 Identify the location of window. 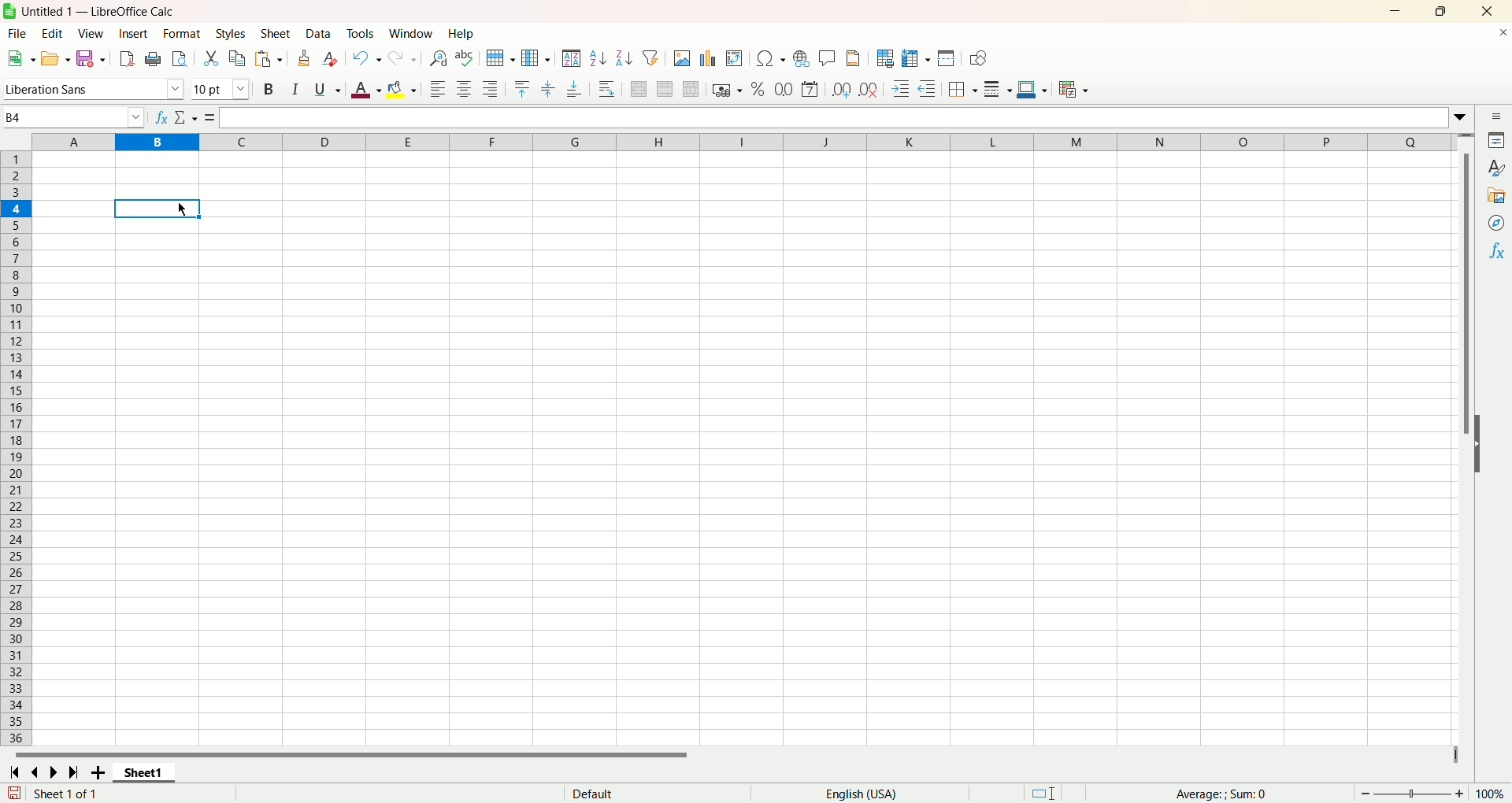
(412, 34).